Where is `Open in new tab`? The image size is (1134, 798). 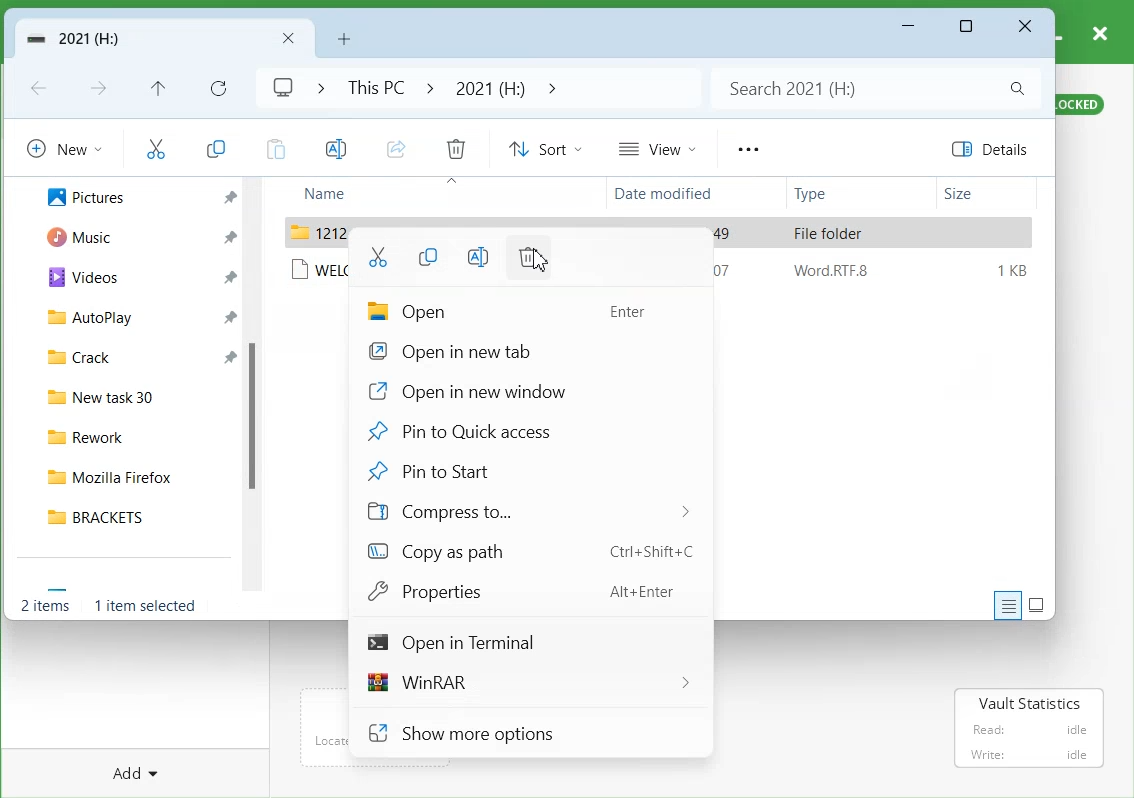 Open in new tab is located at coordinates (523, 351).